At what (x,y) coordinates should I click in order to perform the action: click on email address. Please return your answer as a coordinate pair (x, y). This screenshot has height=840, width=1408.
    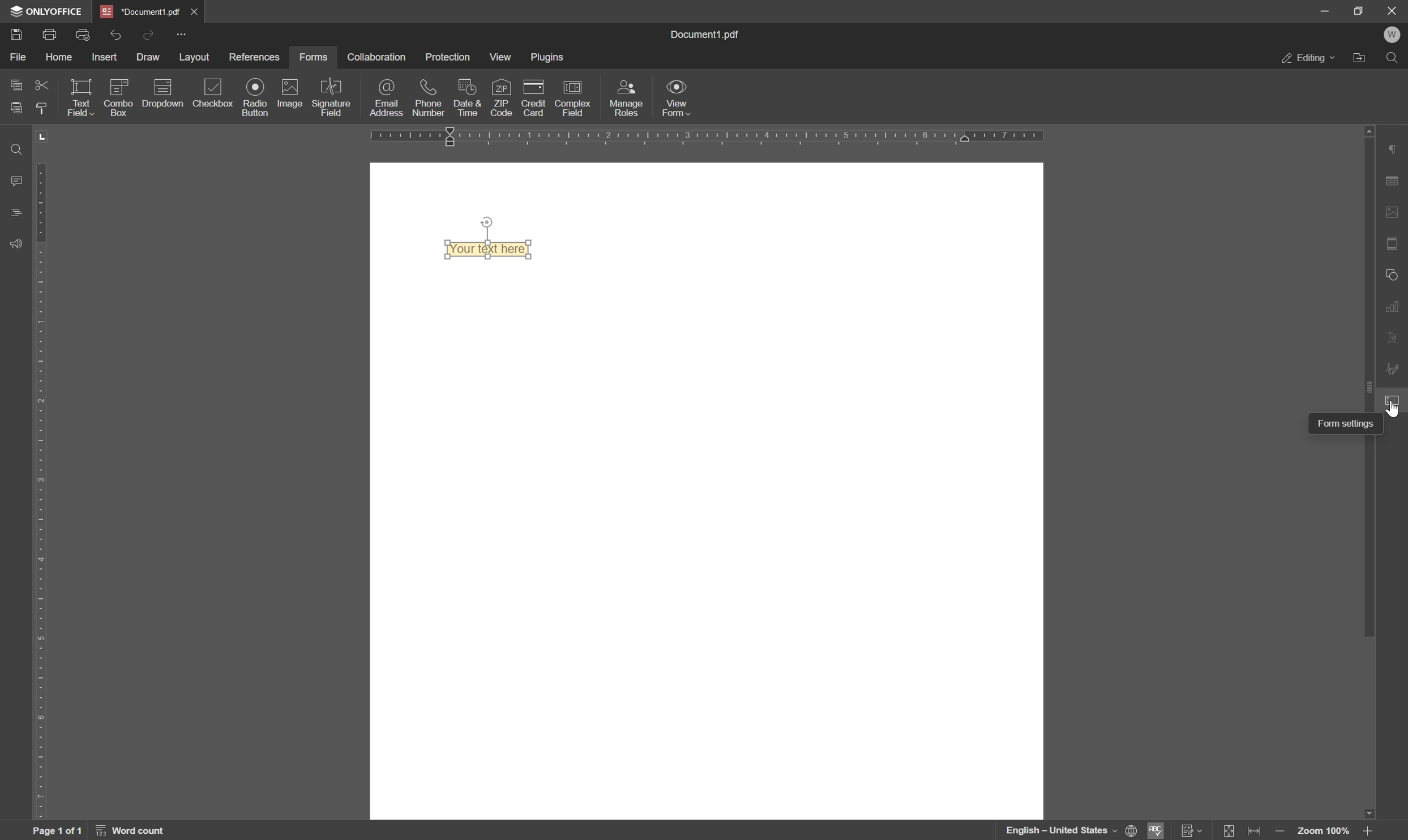
    Looking at the image, I should click on (384, 98).